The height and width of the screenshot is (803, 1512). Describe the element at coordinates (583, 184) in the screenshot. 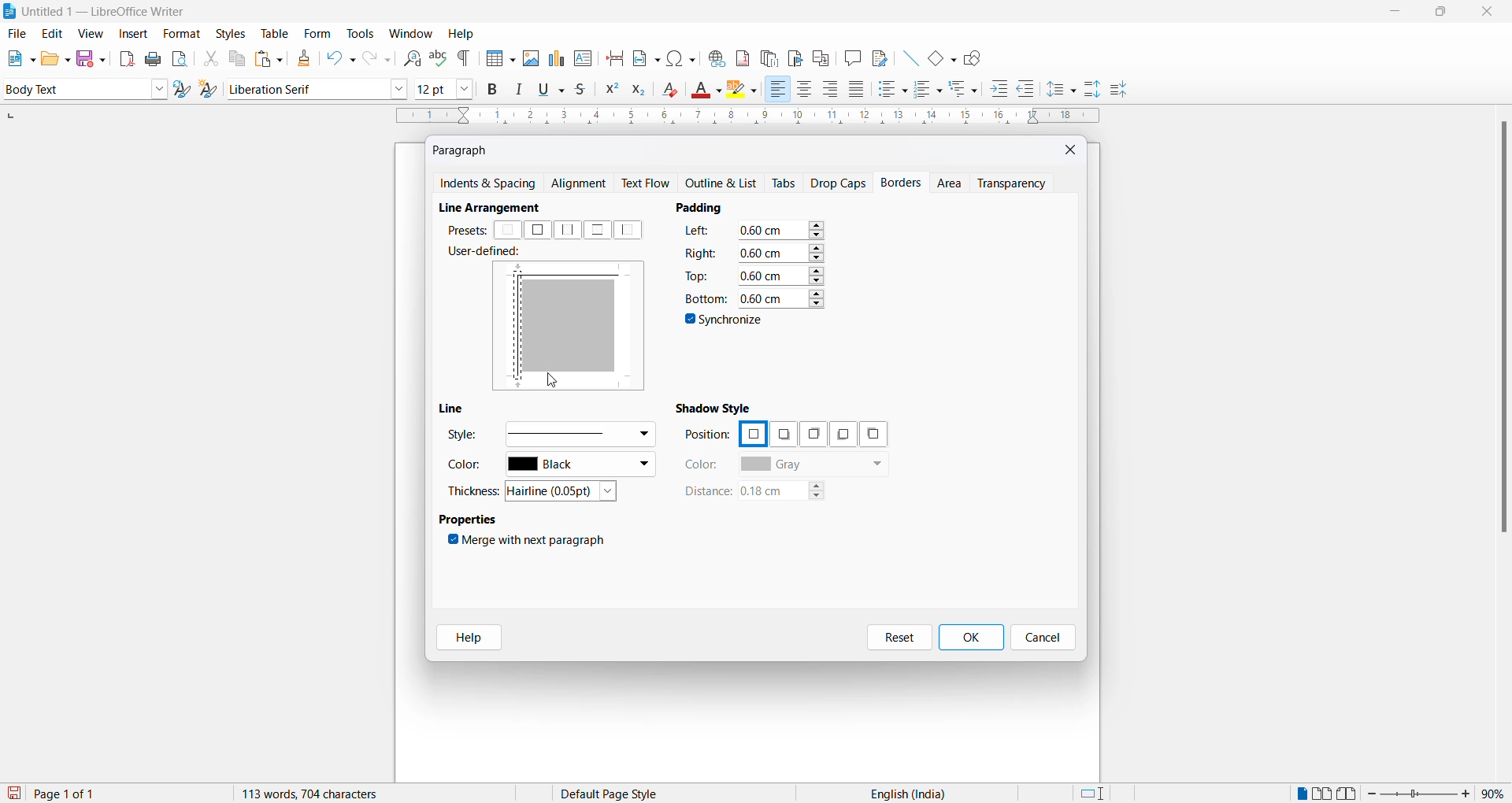

I see `alignment` at that location.